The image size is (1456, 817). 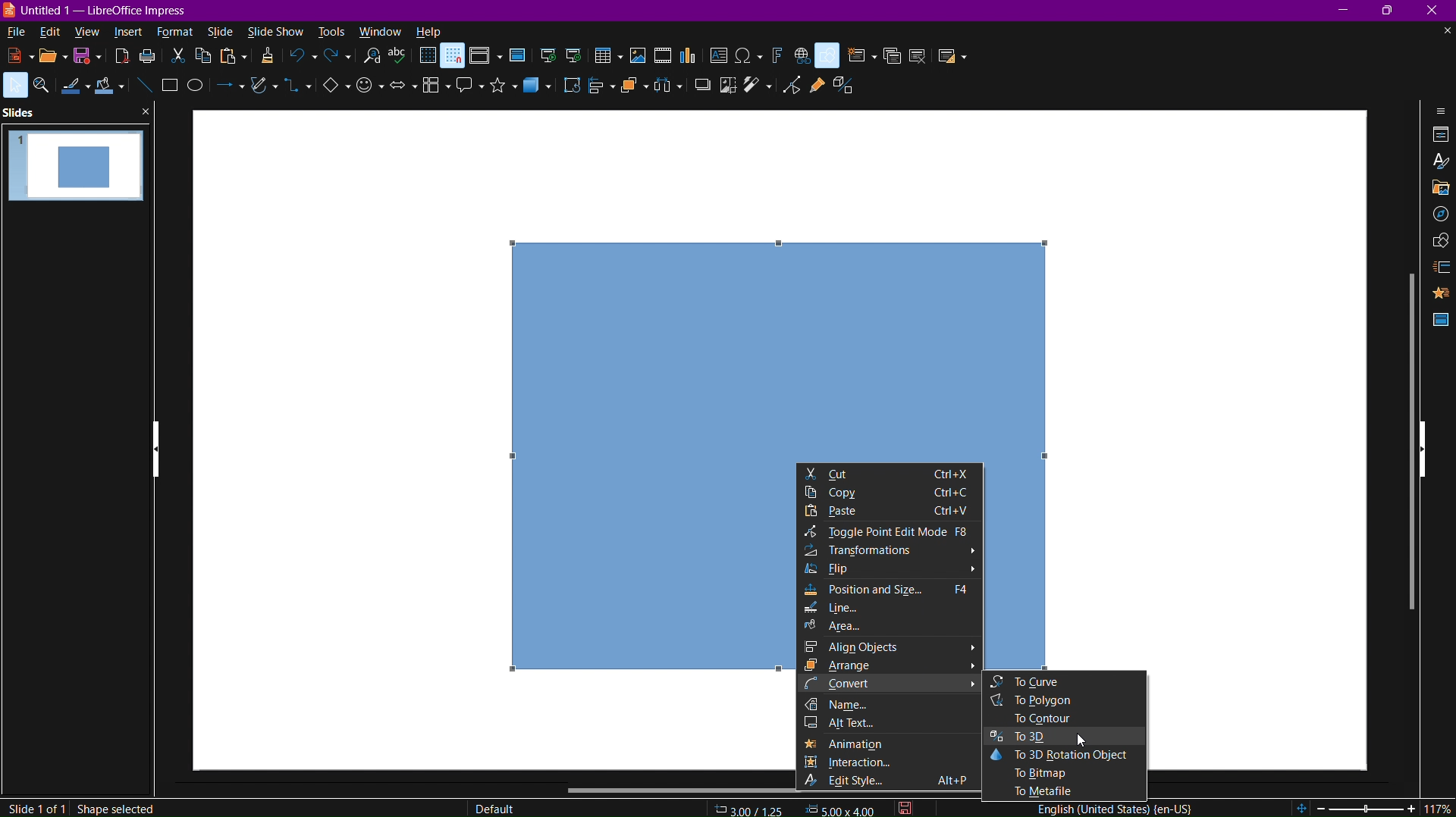 What do you see at coordinates (74, 89) in the screenshot?
I see `Line Color` at bounding box center [74, 89].